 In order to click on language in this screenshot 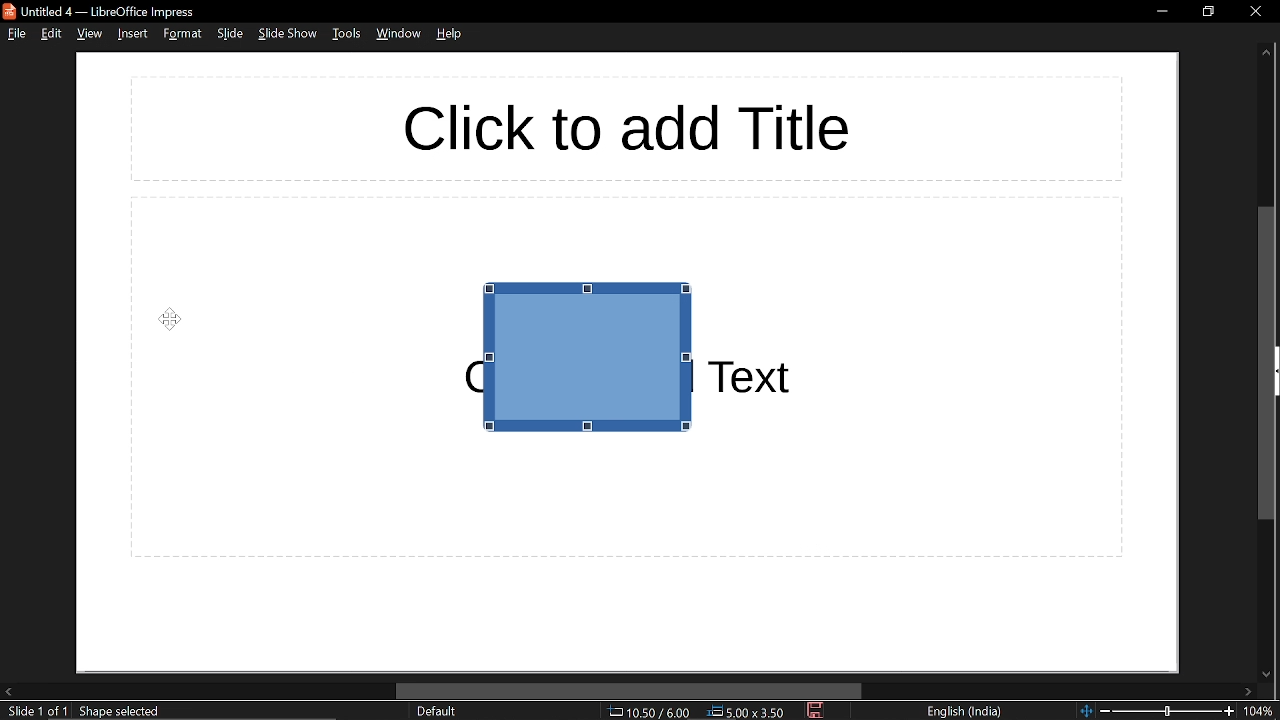, I will do `click(965, 711)`.